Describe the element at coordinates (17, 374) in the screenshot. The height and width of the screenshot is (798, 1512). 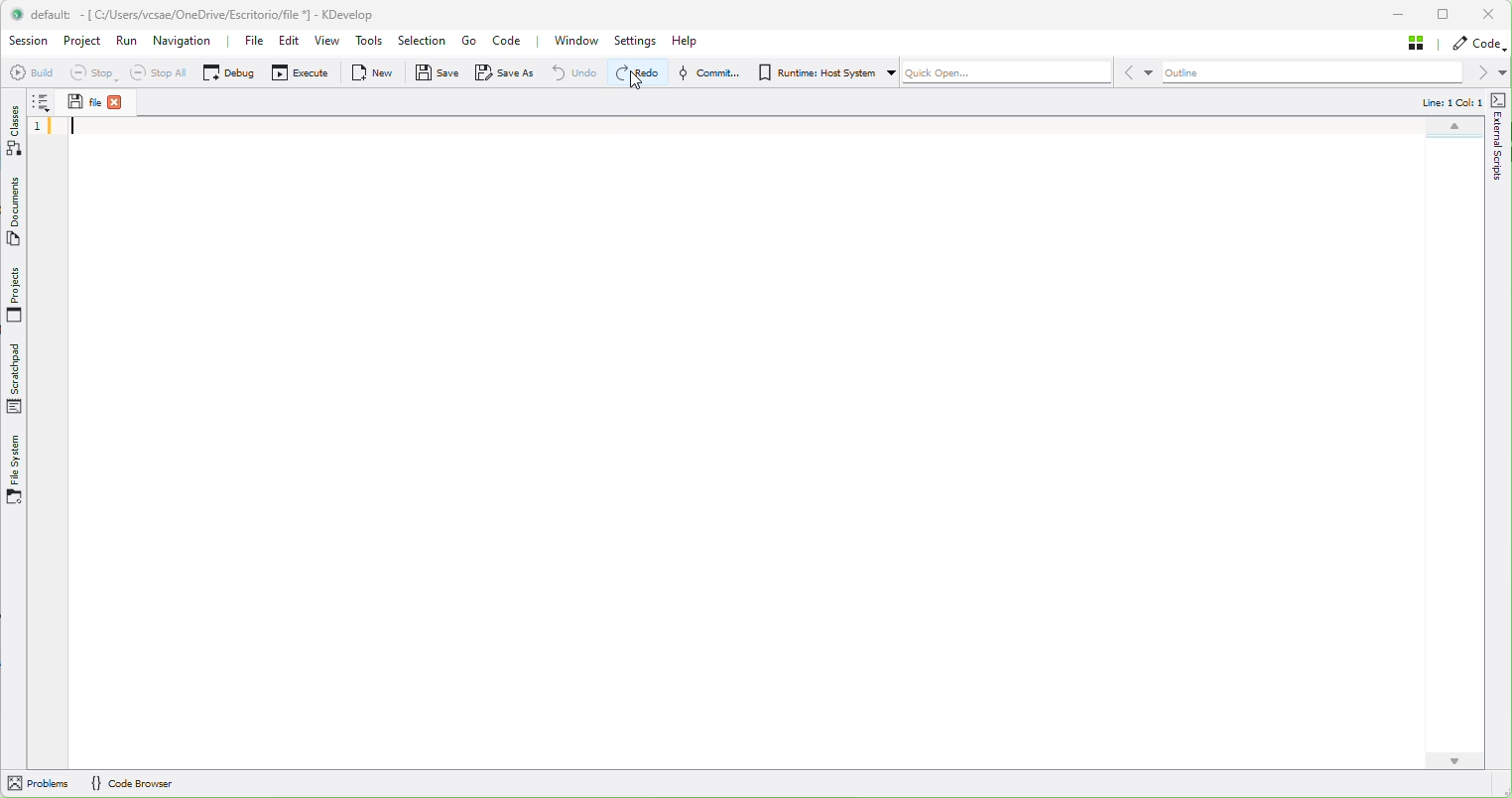
I see `Scratchpad` at that location.